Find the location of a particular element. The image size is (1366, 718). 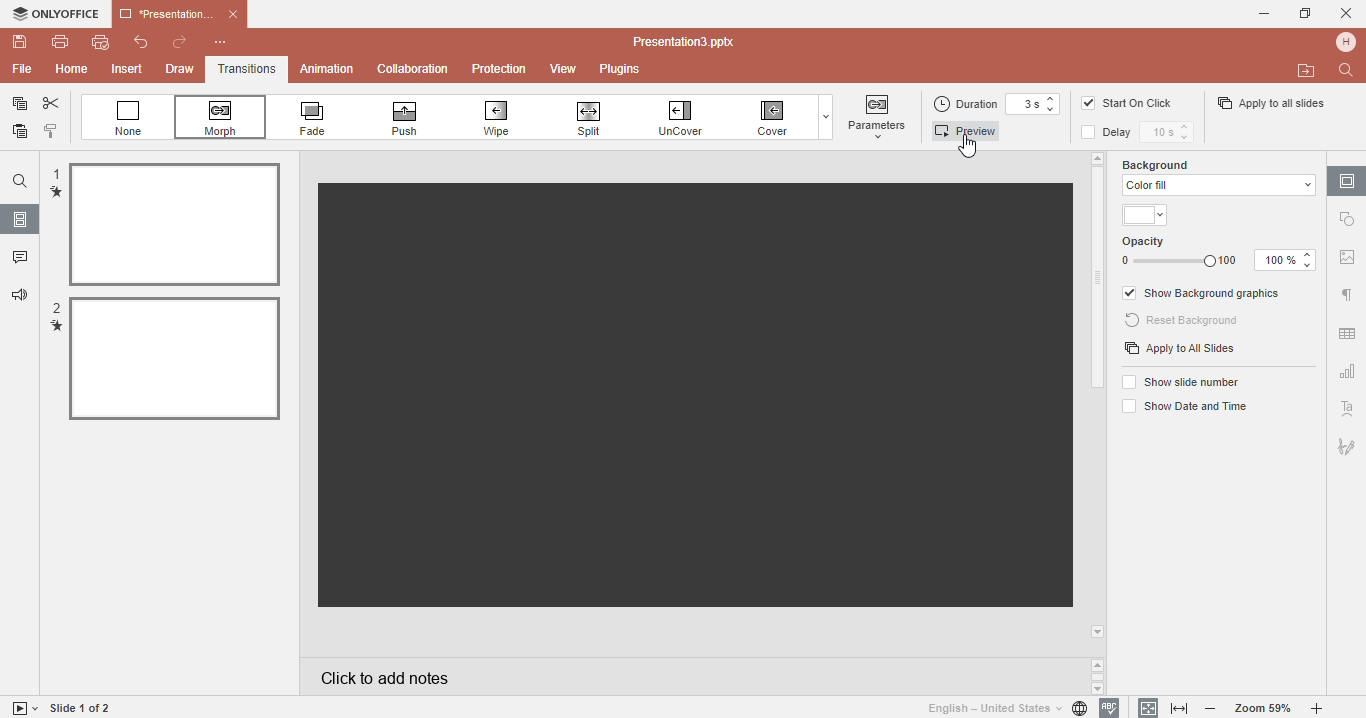

minimize is located at coordinates (1267, 14).